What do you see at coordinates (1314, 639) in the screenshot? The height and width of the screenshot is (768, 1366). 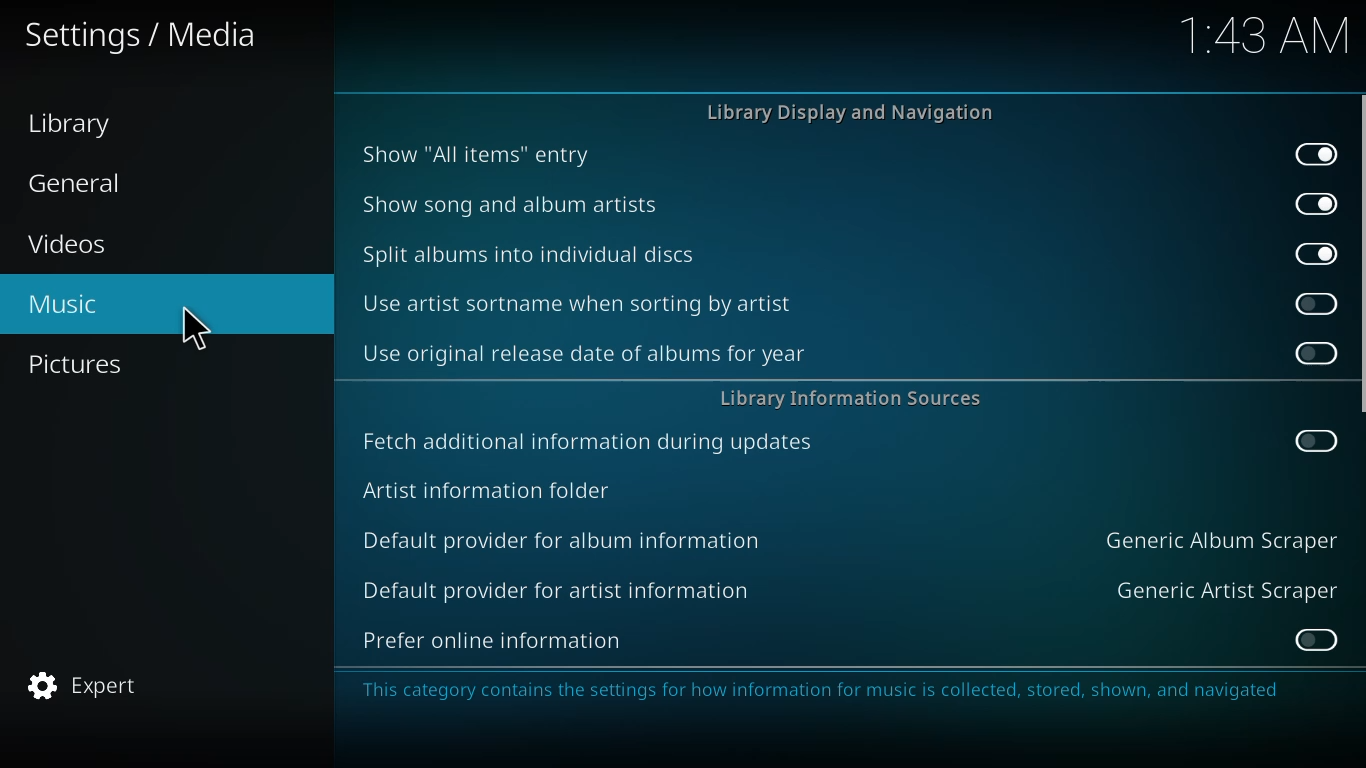 I see `enable` at bounding box center [1314, 639].